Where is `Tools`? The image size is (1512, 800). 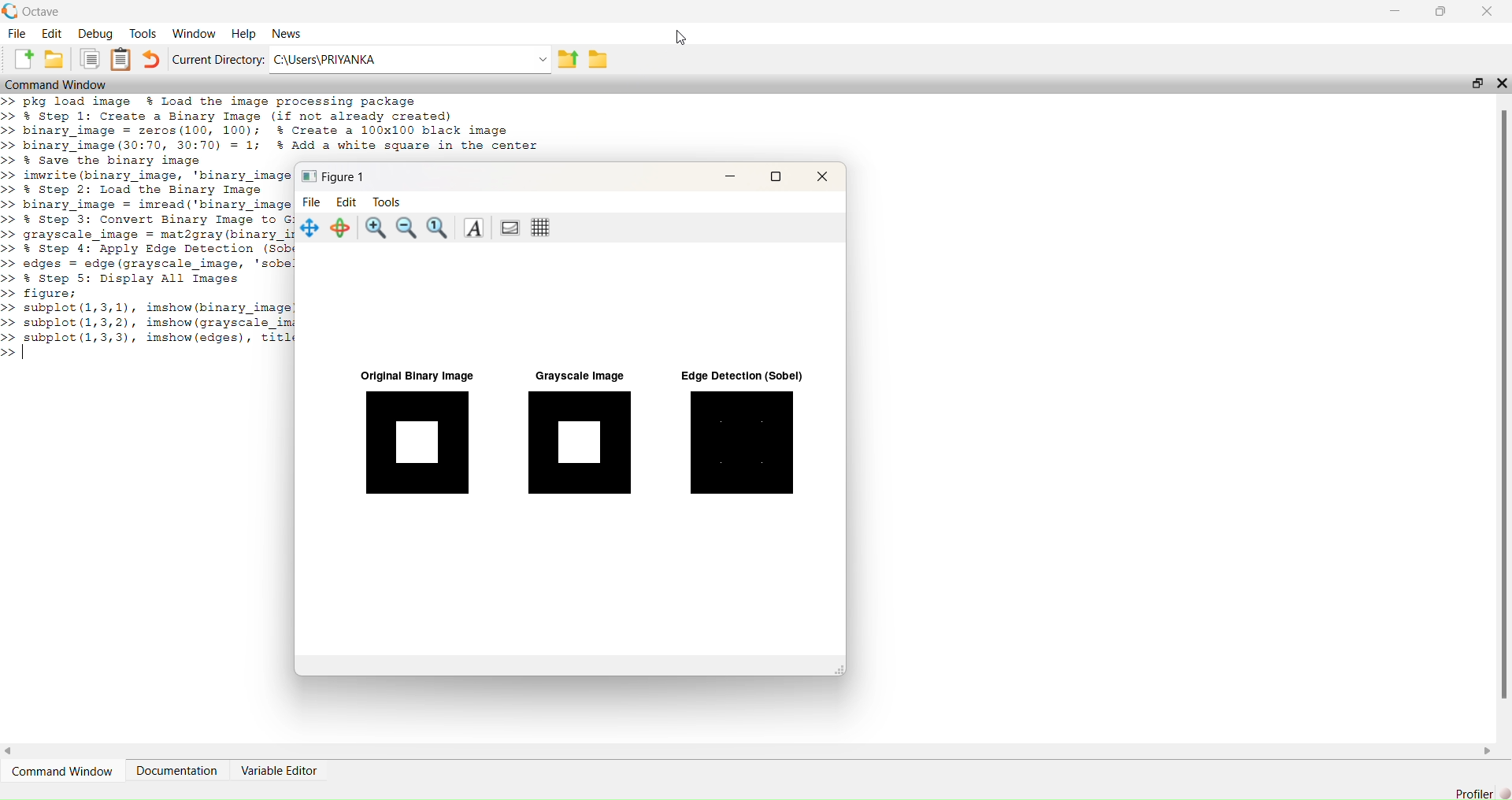
Tools is located at coordinates (144, 33).